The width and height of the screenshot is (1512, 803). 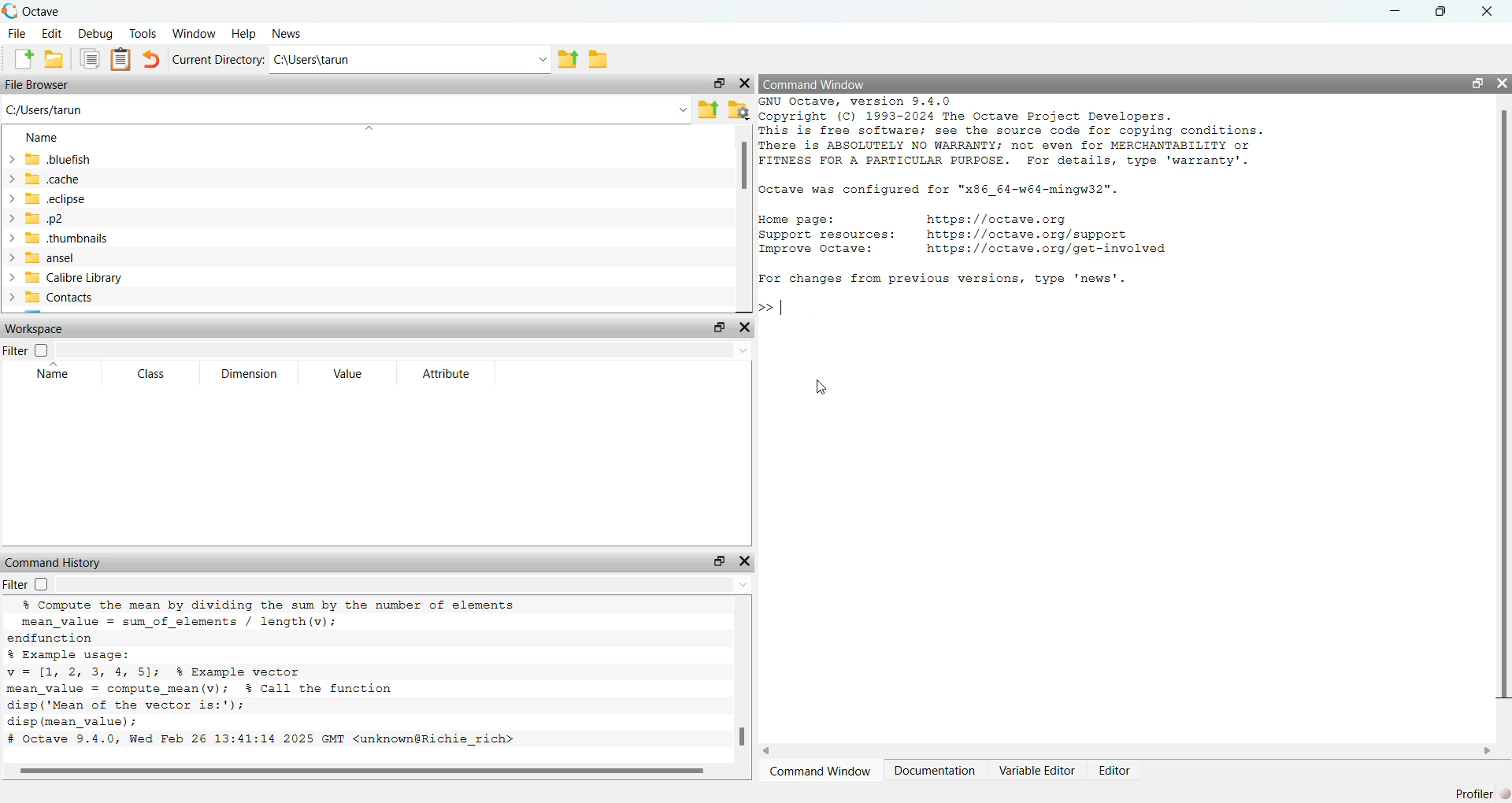 I want to click on Drop-down , so click(x=683, y=109).